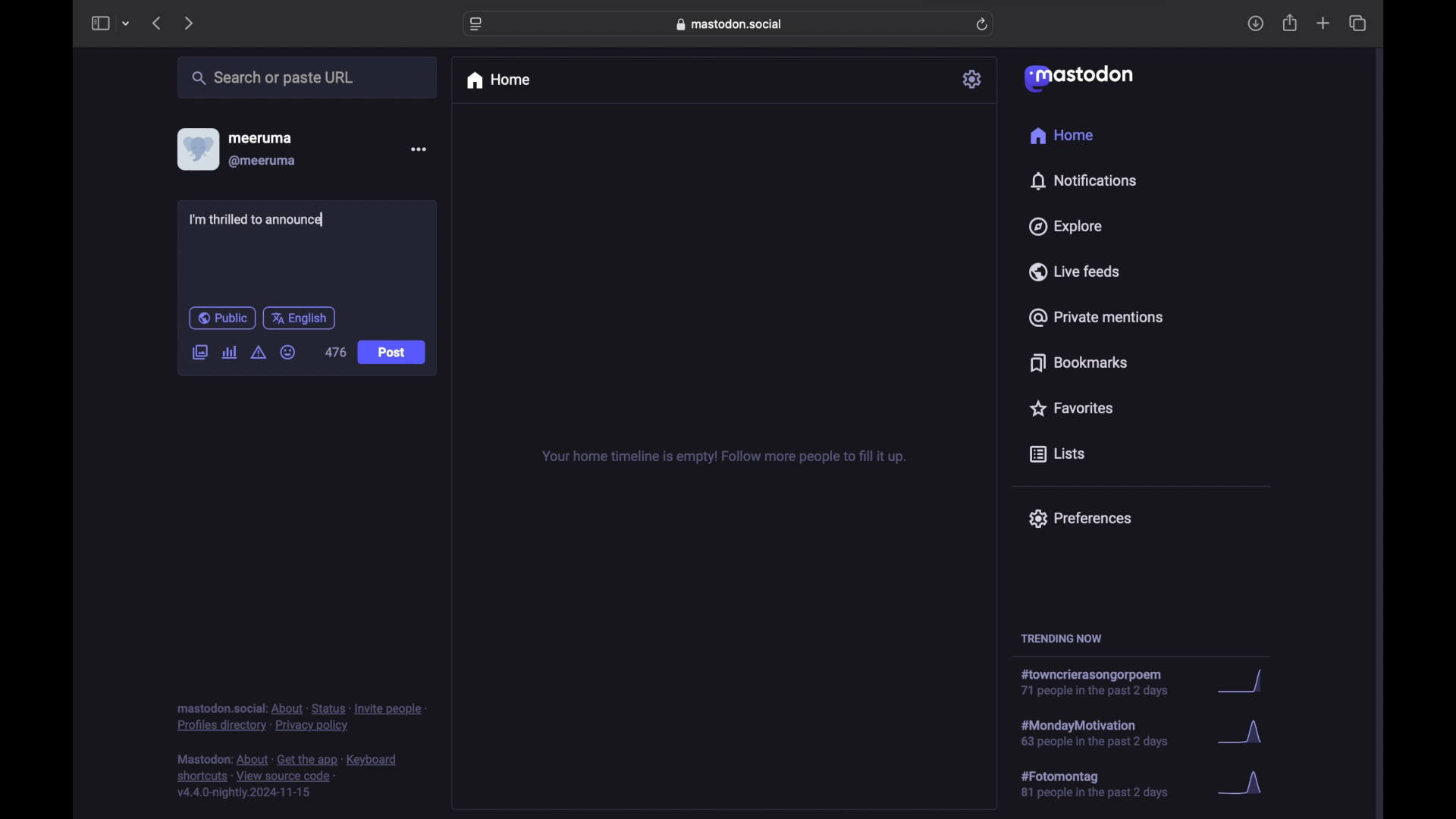  I want to click on display picture, so click(196, 149).